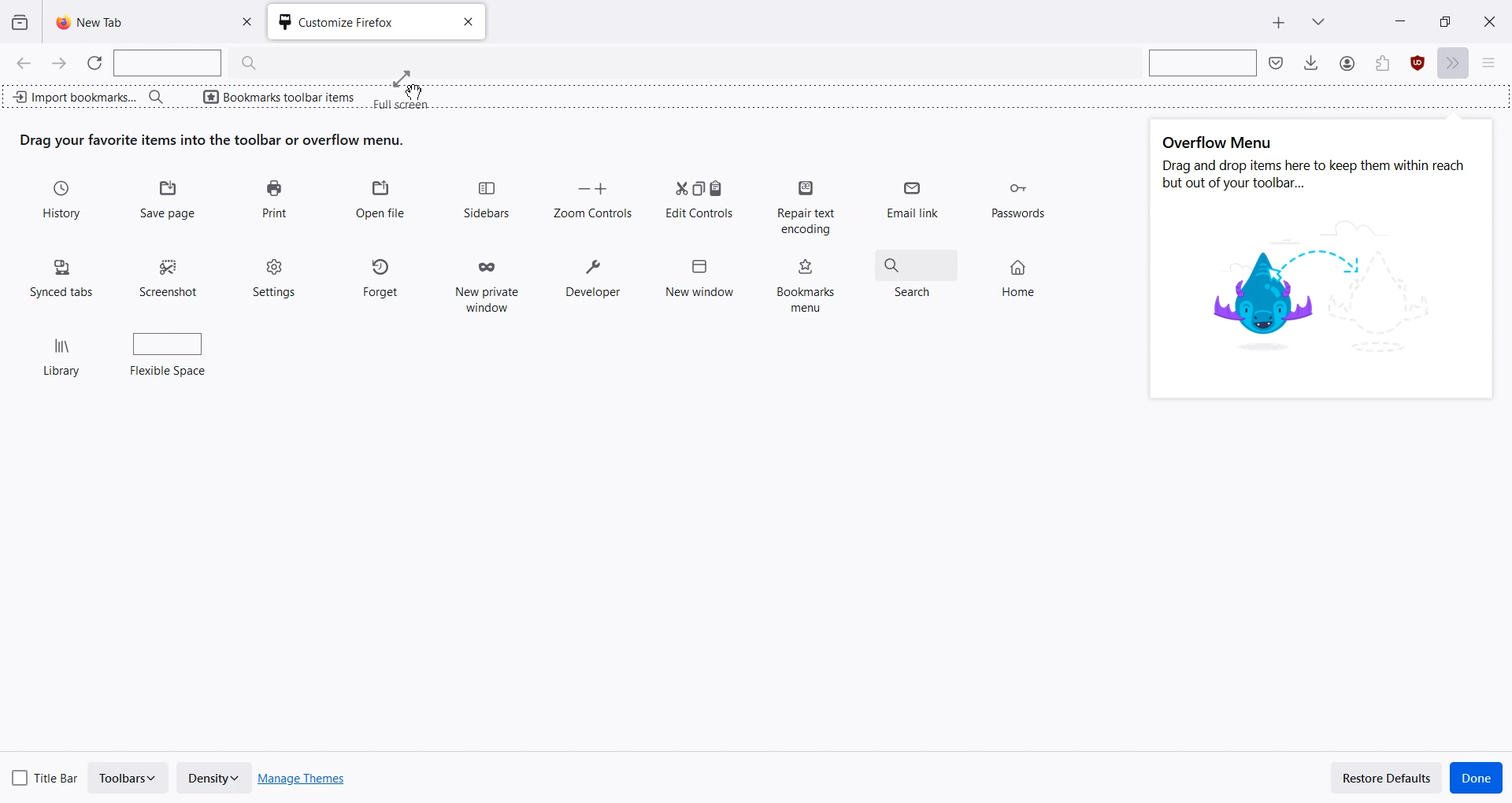 Image resolution: width=1512 pixels, height=803 pixels. Describe the element at coordinates (129, 778) in the screenshot. I see `Toolbars` at that location.